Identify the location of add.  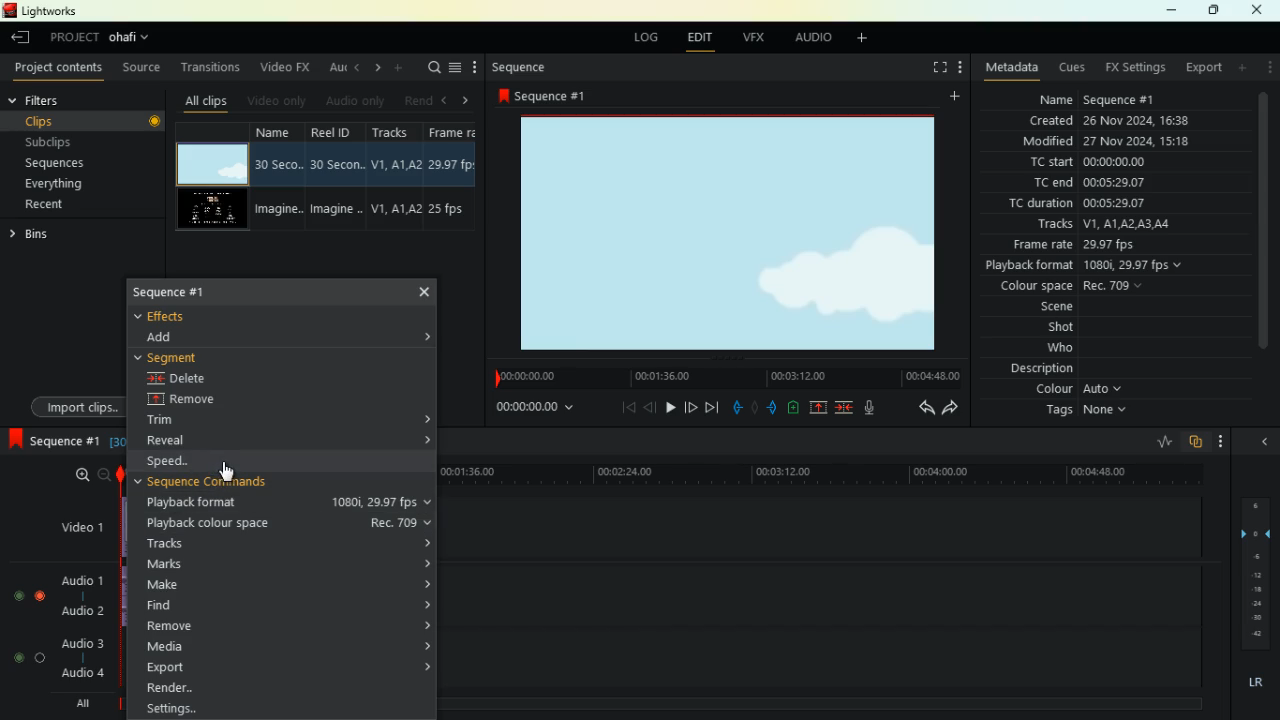
(180, 338).